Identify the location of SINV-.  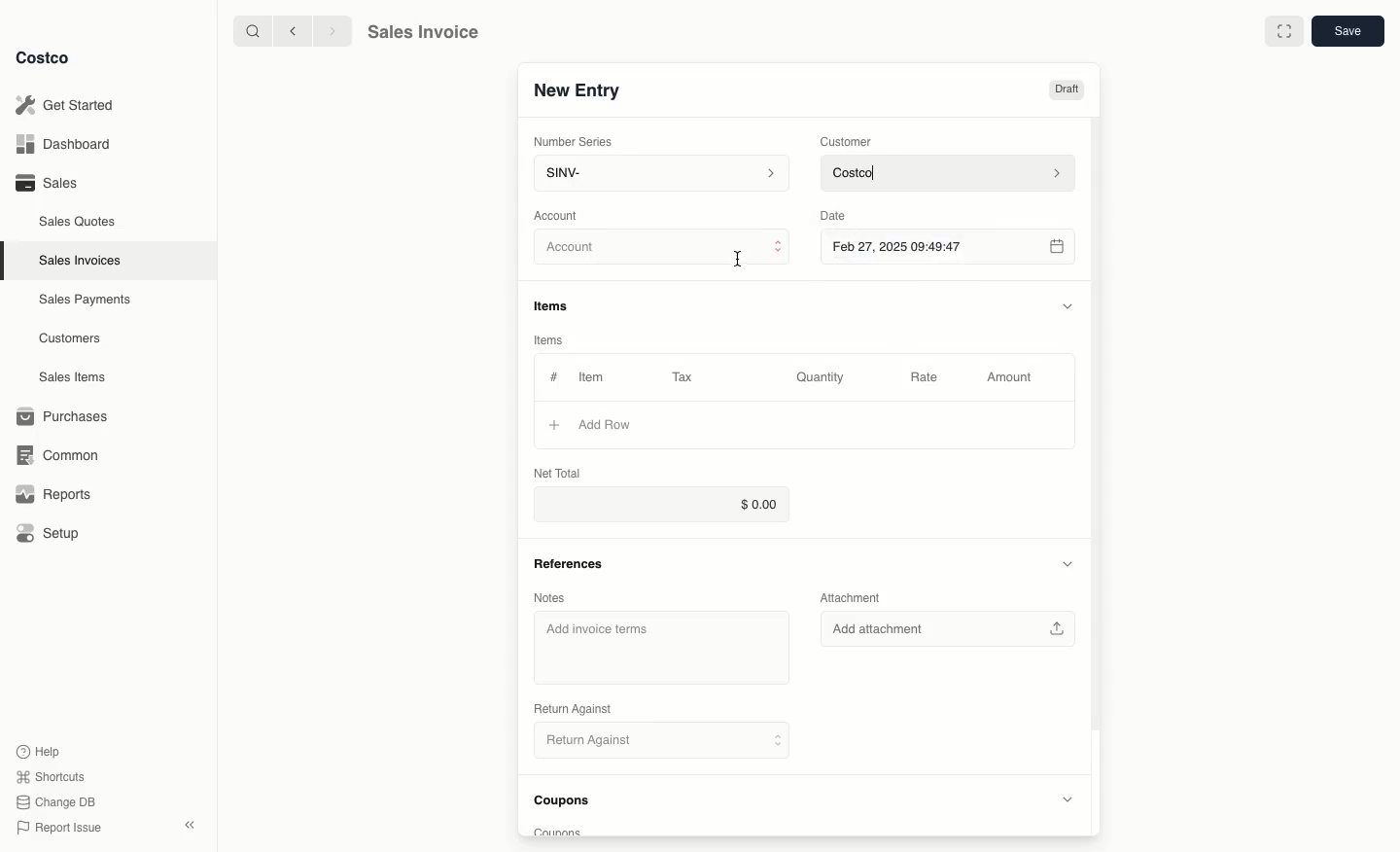
(657, 175).